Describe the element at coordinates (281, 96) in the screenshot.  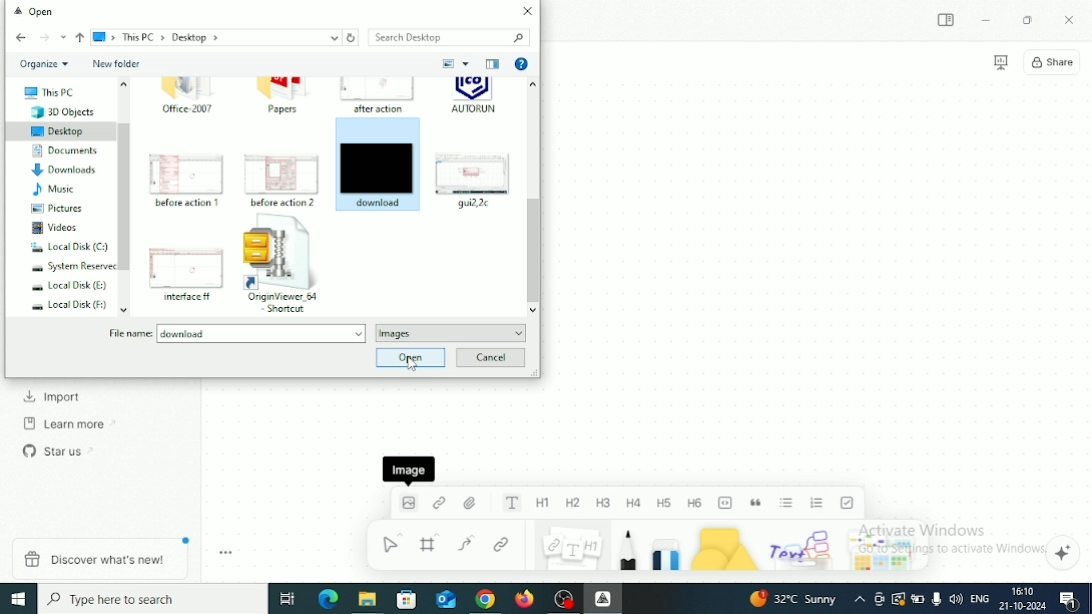
I see `Papers` at that location.